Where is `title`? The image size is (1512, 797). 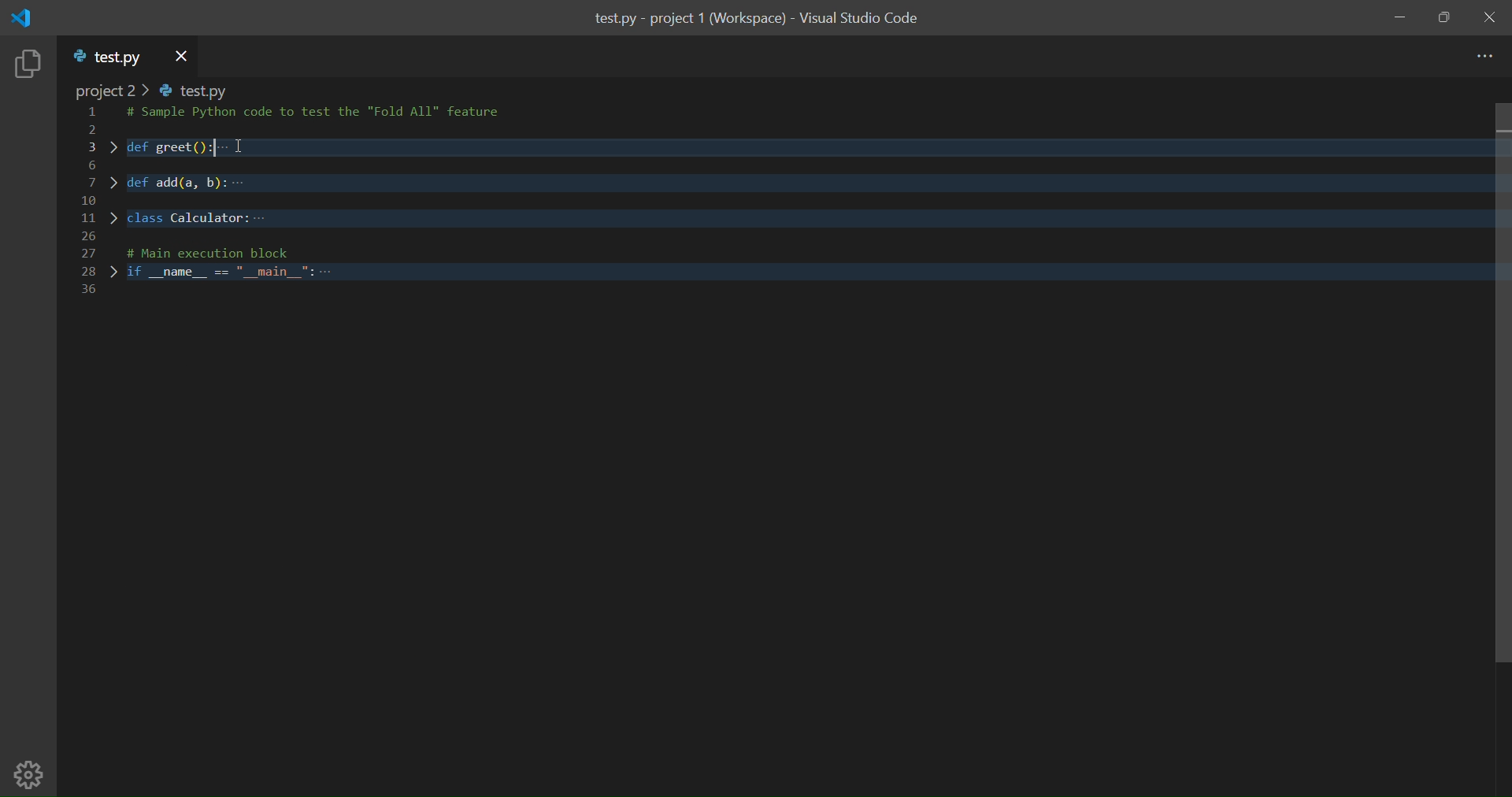 title is located at coordinates (756, 20).